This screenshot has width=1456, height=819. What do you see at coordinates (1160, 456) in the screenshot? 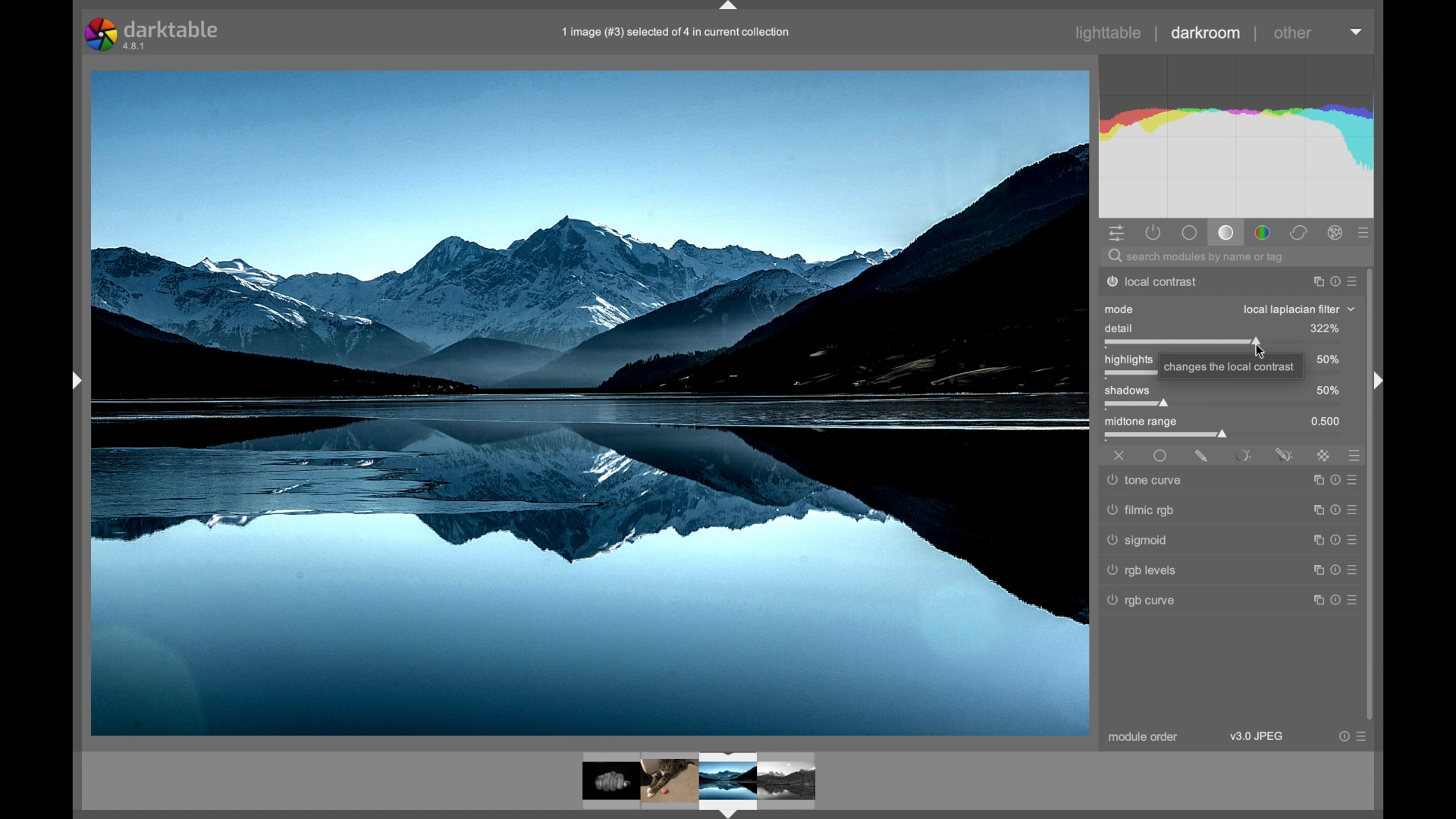
I see `uniformly` at bounding box center [1160, 456].